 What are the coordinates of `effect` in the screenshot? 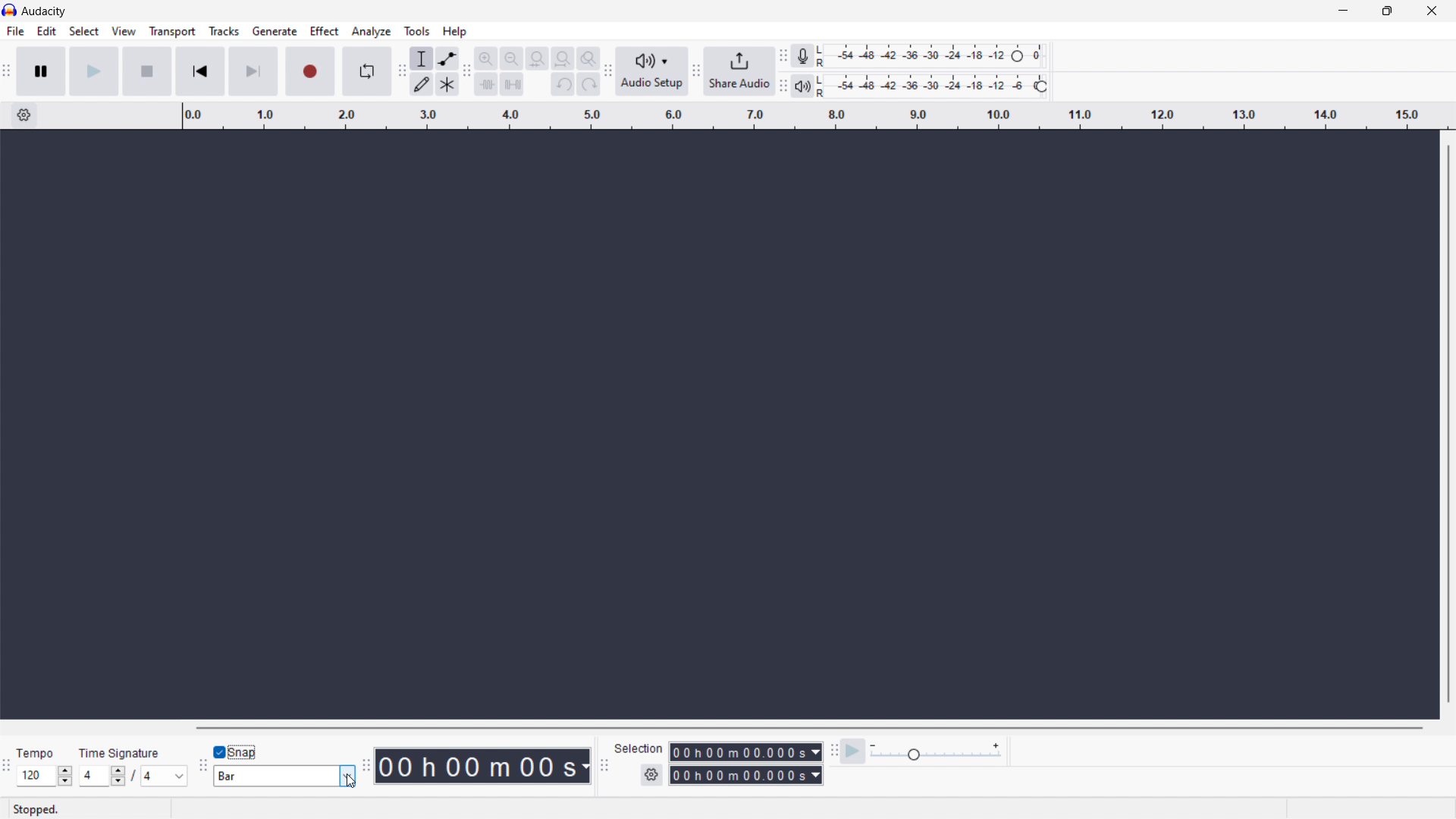 It's located at (325, 31).